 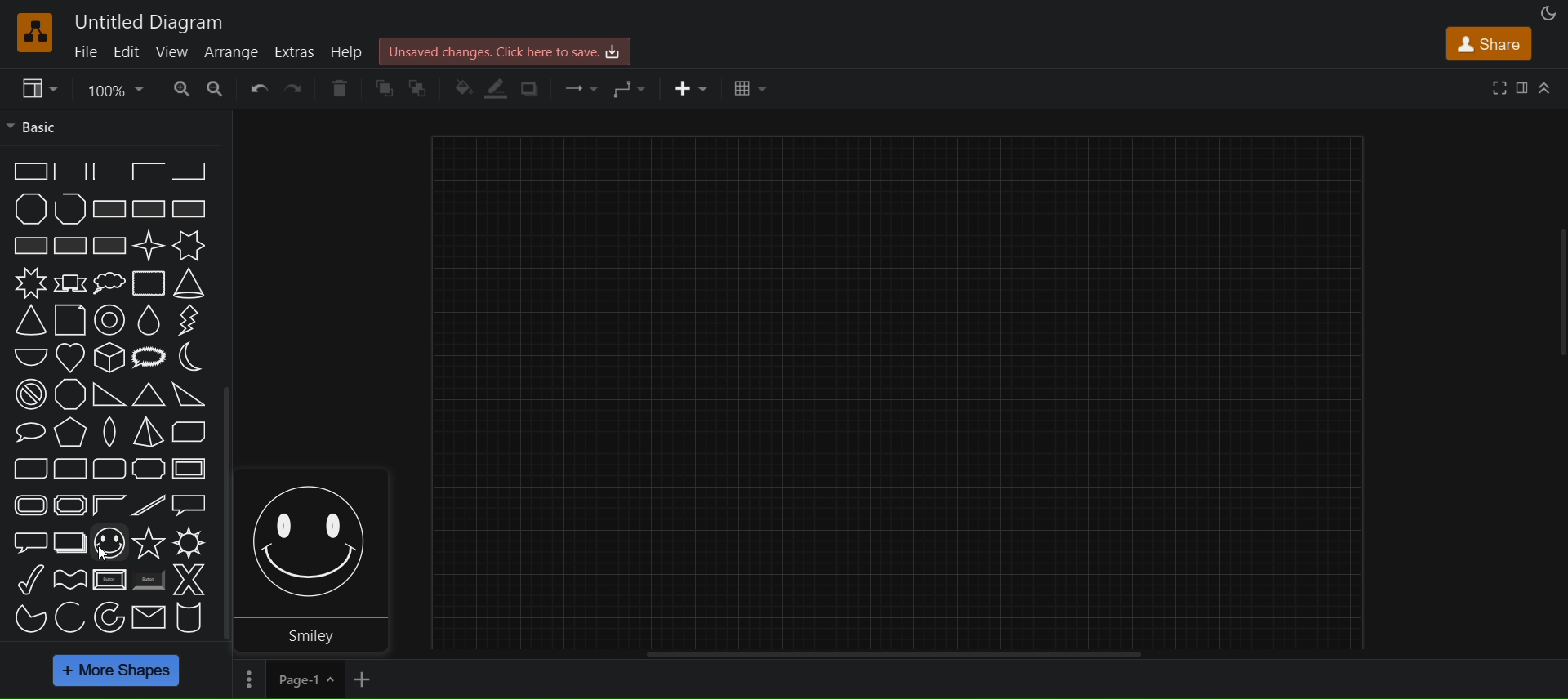 I want to click on acute triangle, so click(x=189, y=398).